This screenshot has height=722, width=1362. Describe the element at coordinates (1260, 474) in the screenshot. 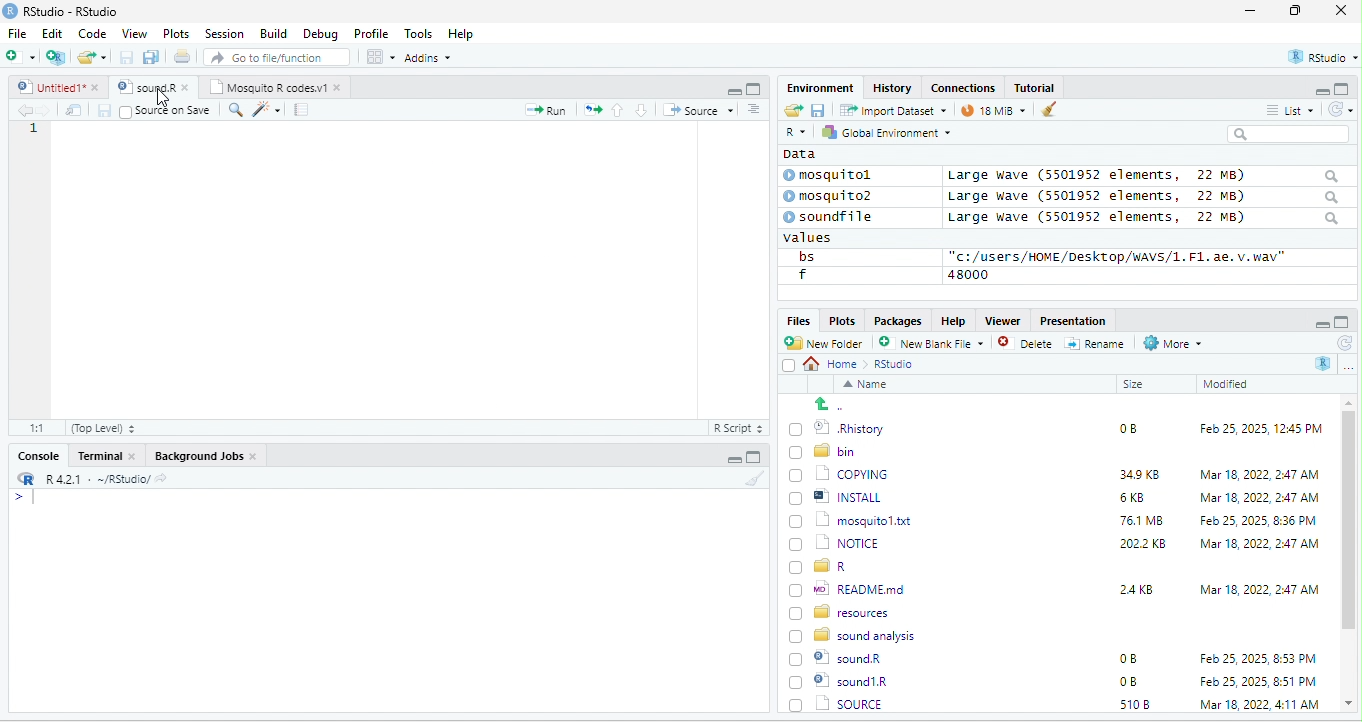

I see `Mar 18, 2022, 247 AM` at that location.